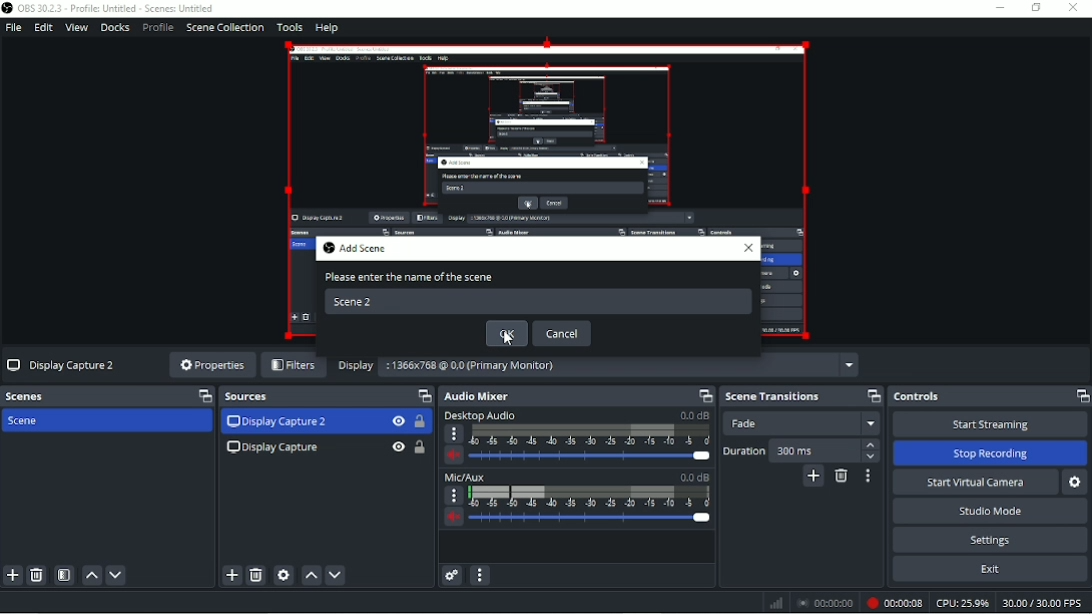 Image resolution: width=1092 pixels, height=614 pixels. What do you see at coordinates (800, 451) in the screenshot?
I see `Duration 300 ms` at bounding box center [800, 451].